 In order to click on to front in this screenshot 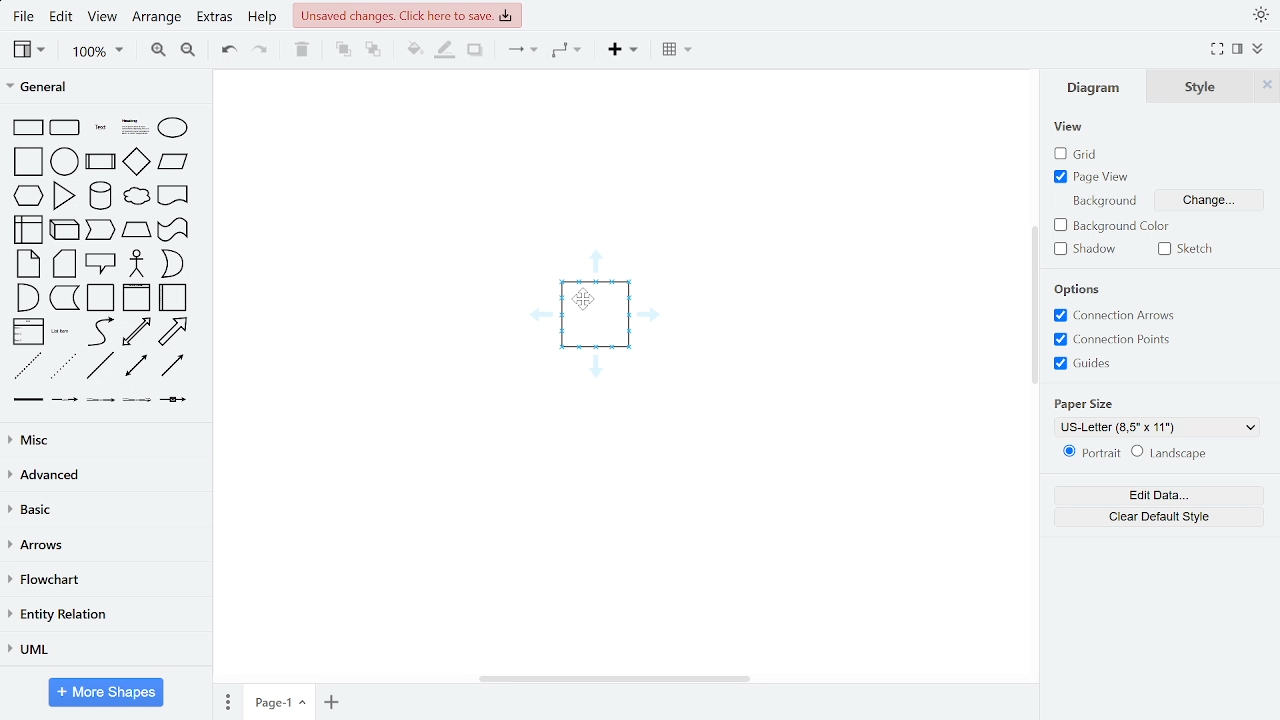, I will do `click(341, 51)`.